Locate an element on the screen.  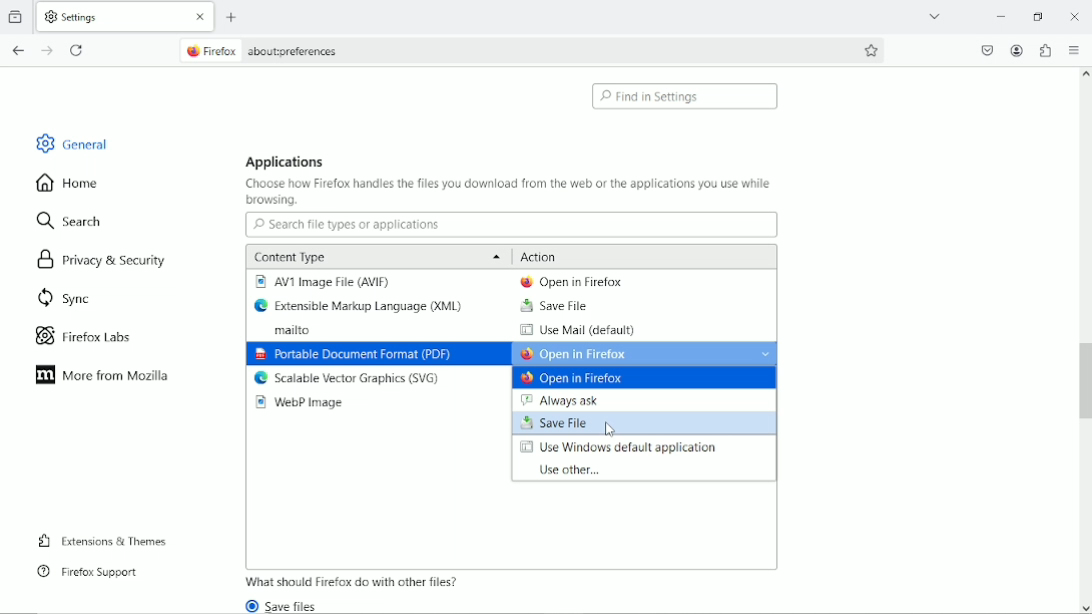
Action is located at coordinates (541, 256).